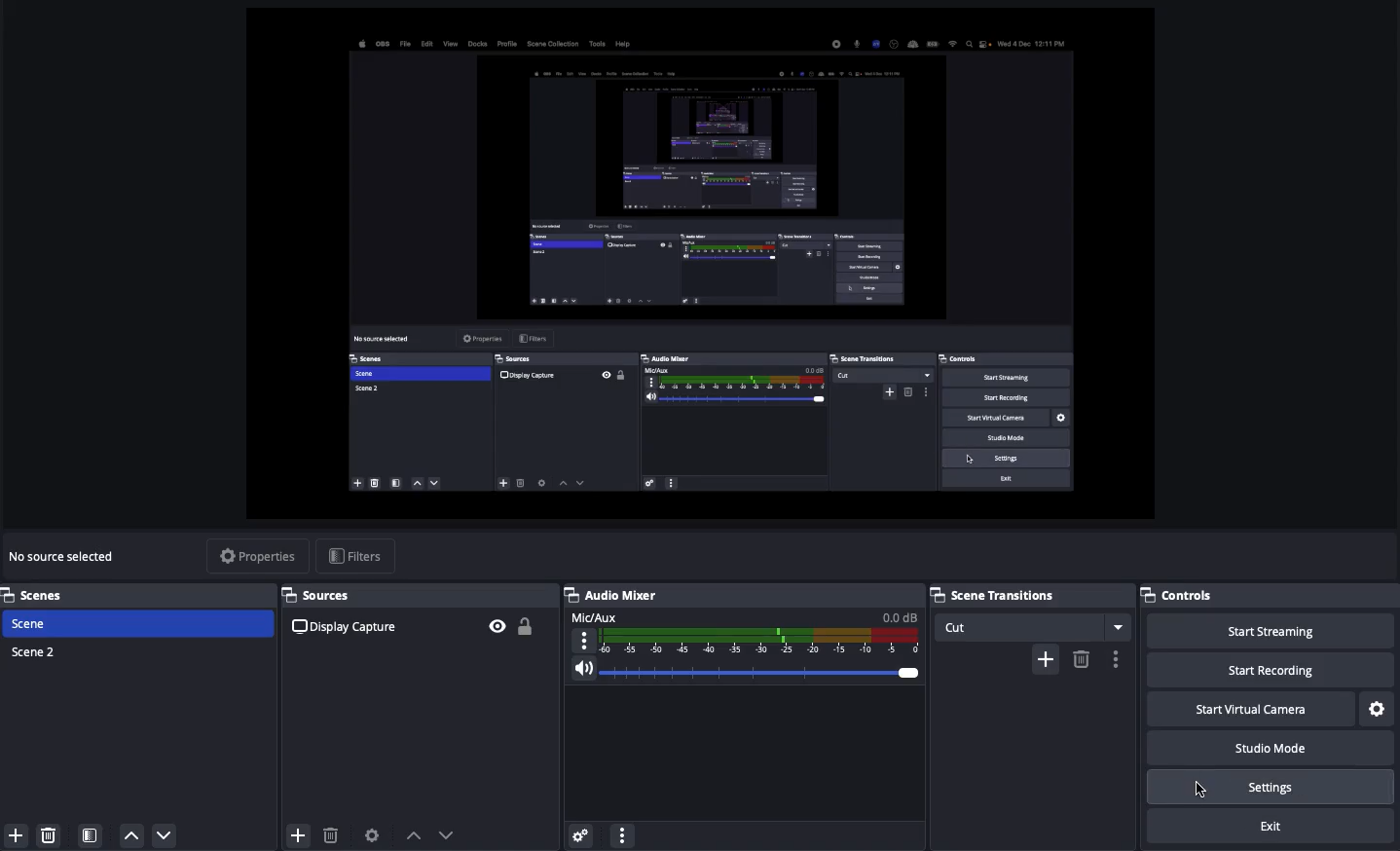 The image size is (1400, 851). What do you see at coordinates (375, 835) in the screenshot?
I see `Source preferences` at bounding box center [375, 835].